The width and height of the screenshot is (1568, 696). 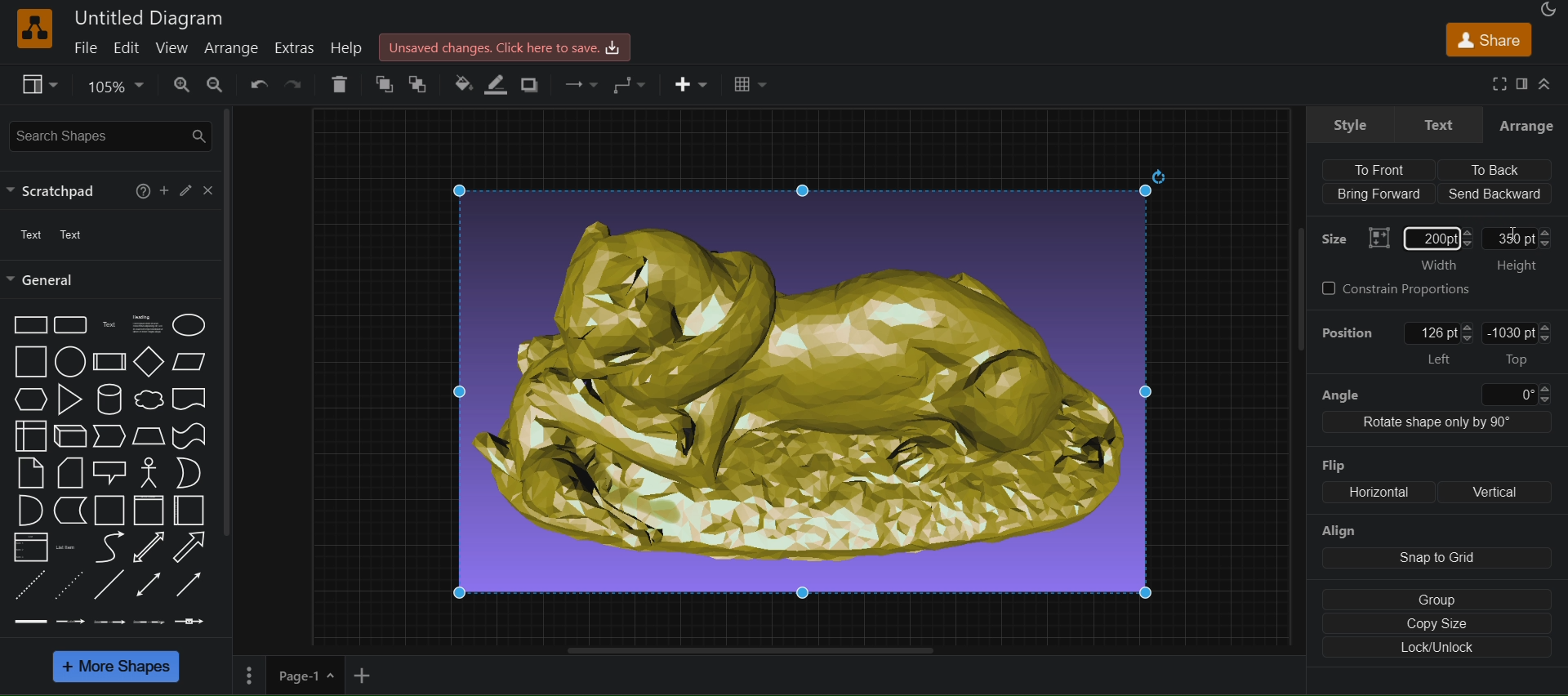 I want to click on format, so click(x=1521, y=82).